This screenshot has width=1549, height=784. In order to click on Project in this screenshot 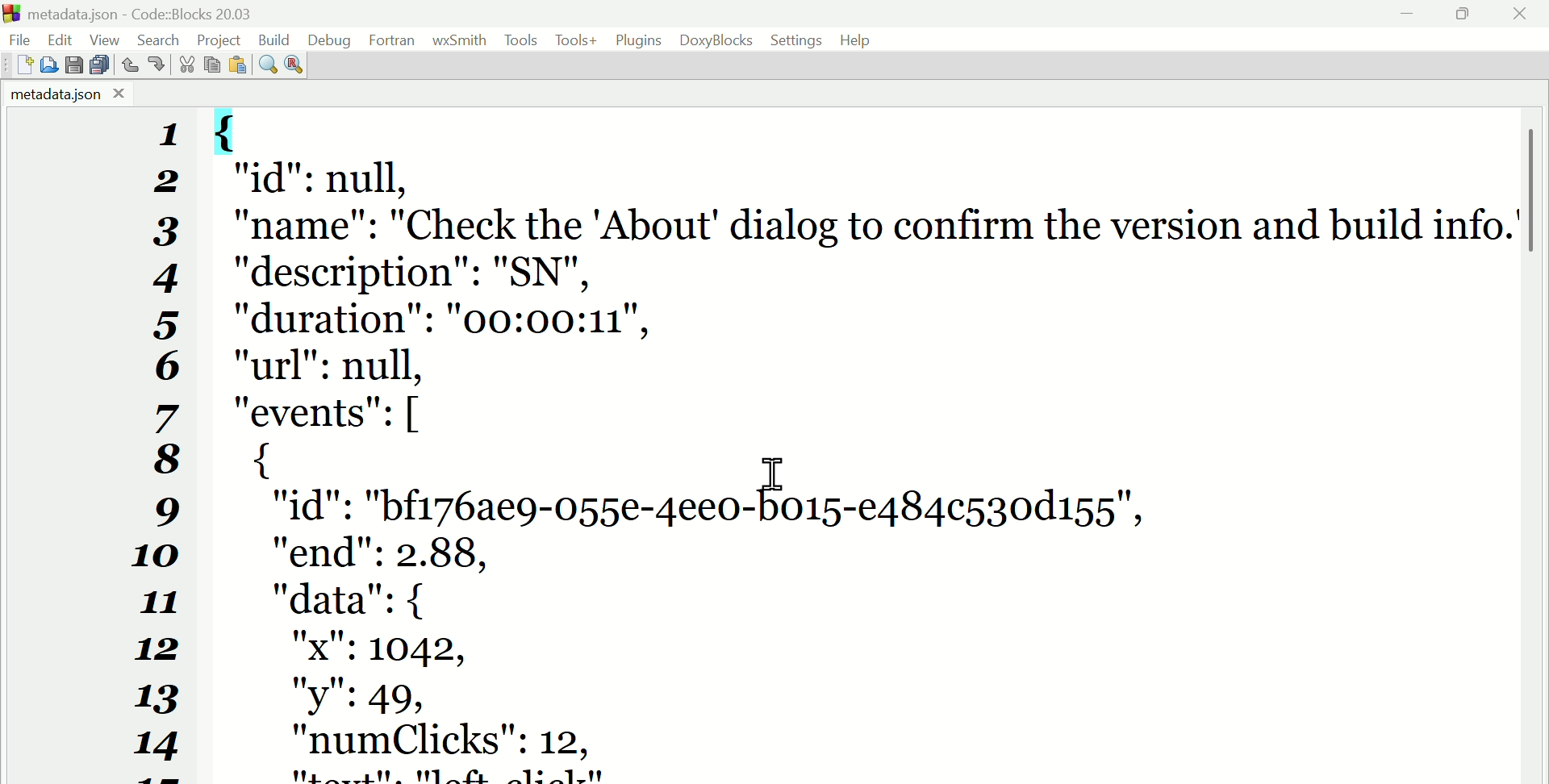, I will do `click(221, 38)`.